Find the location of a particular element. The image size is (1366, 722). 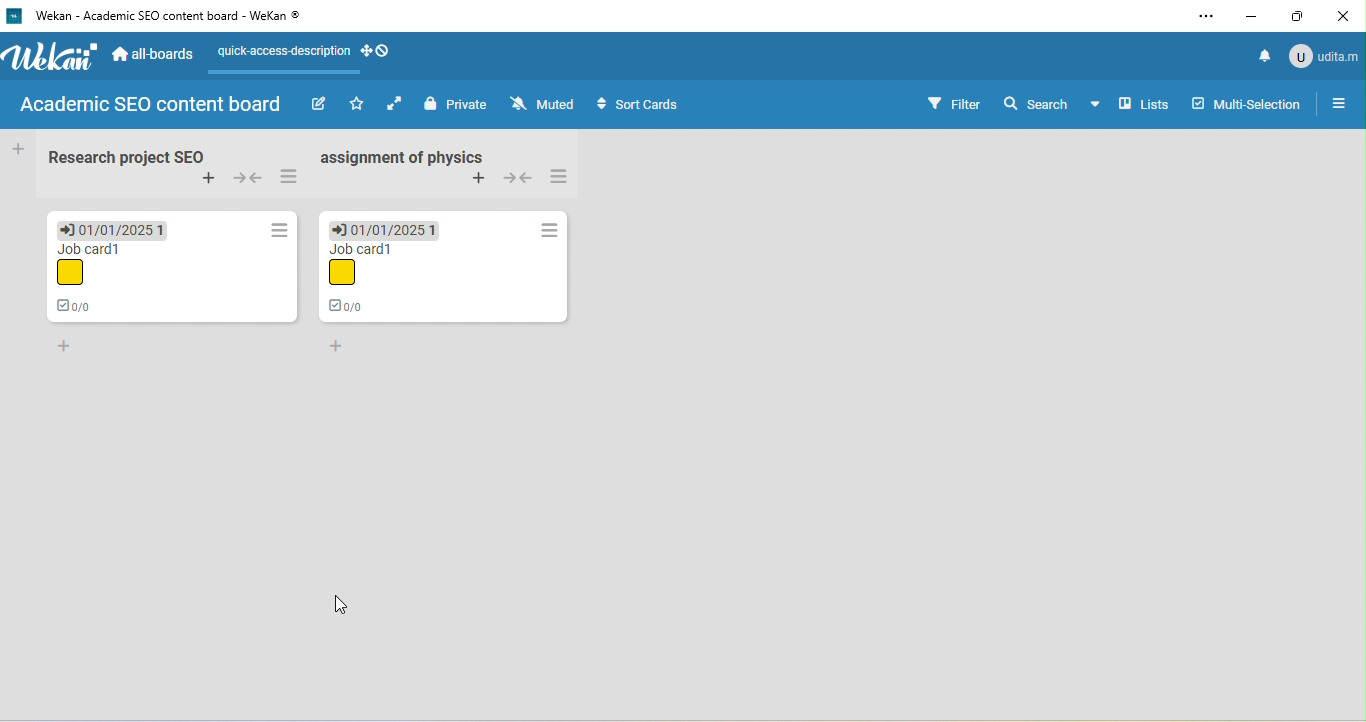

swimlane action is located at coordinates (563, 176).